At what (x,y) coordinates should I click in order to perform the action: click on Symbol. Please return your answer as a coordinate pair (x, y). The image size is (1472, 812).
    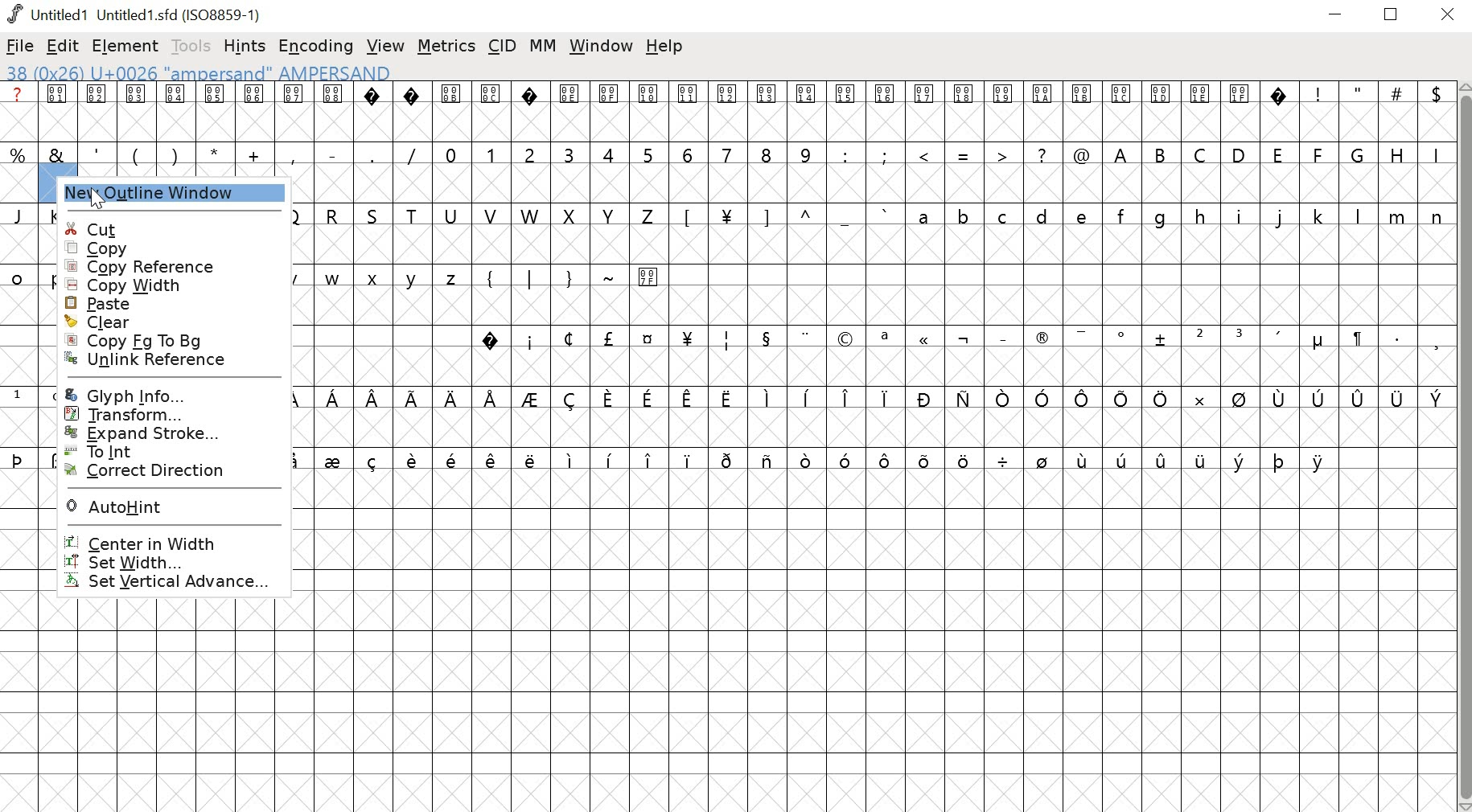
    Looking at the image, I should click on (1124, 336).